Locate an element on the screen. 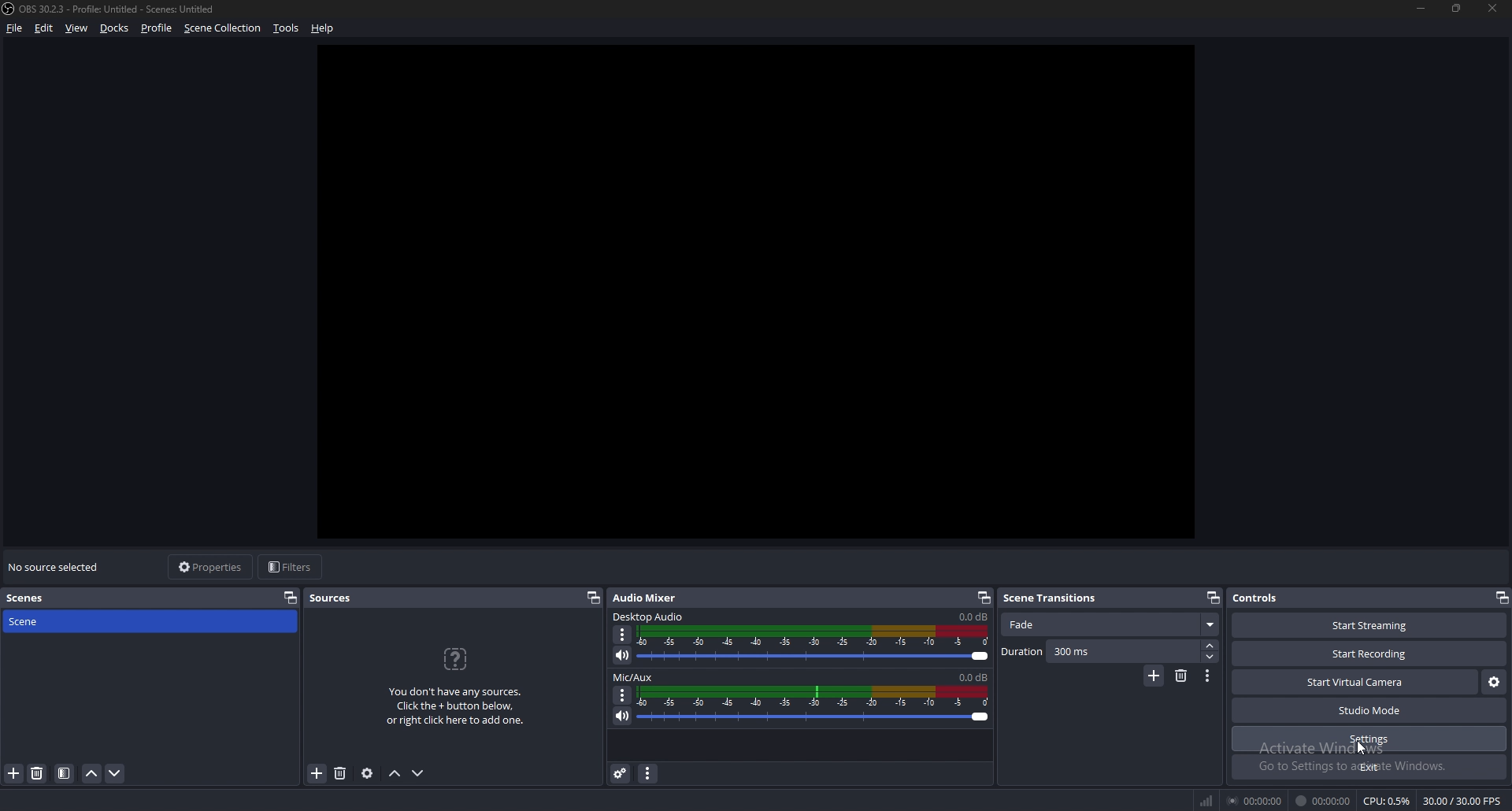 The height and width of the screenshot is (811, 1512). scenes is located at coordinates (31, 598).